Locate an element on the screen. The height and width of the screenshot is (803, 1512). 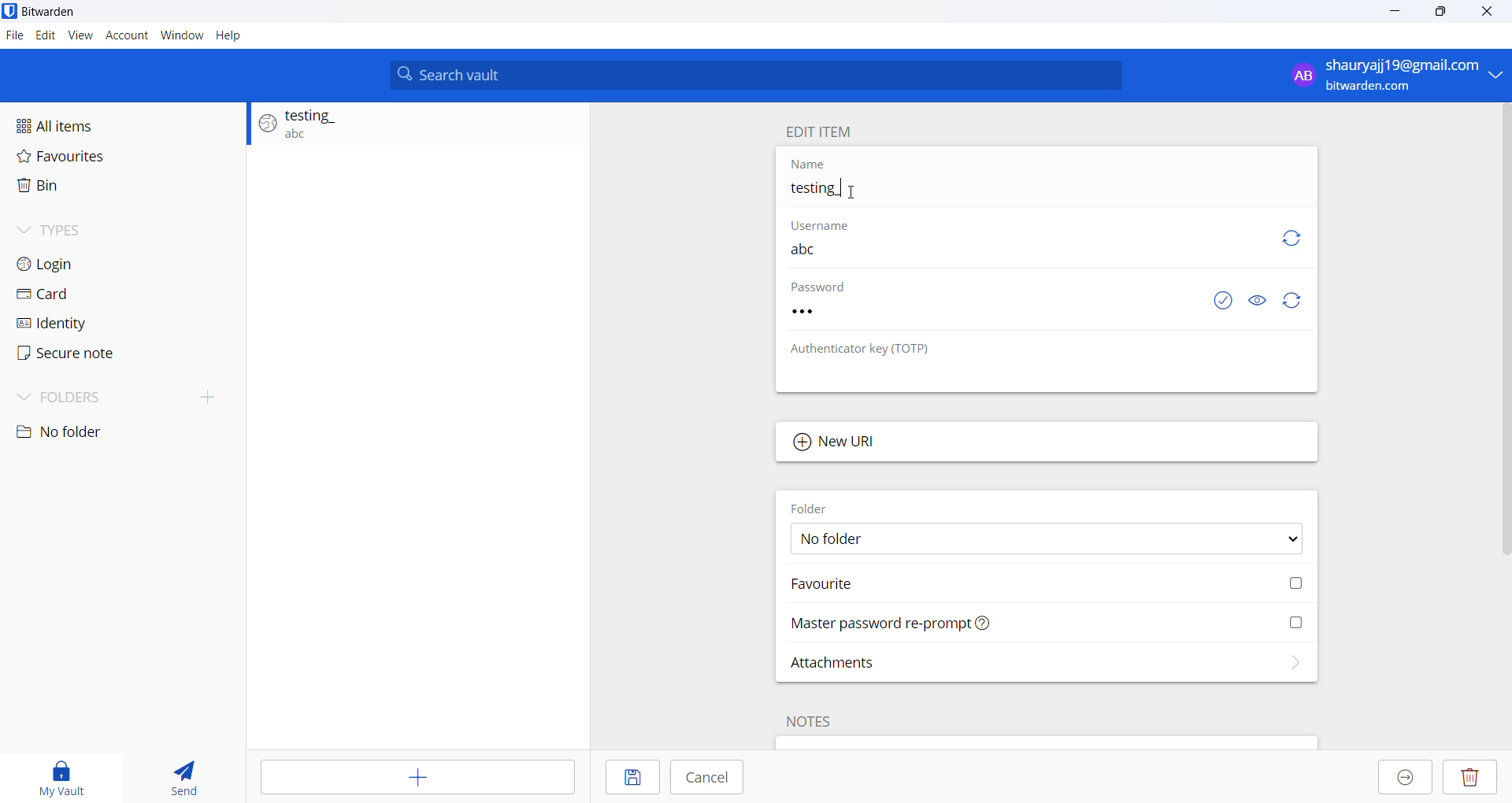
Login account email is located at coordinates (1392, 75).